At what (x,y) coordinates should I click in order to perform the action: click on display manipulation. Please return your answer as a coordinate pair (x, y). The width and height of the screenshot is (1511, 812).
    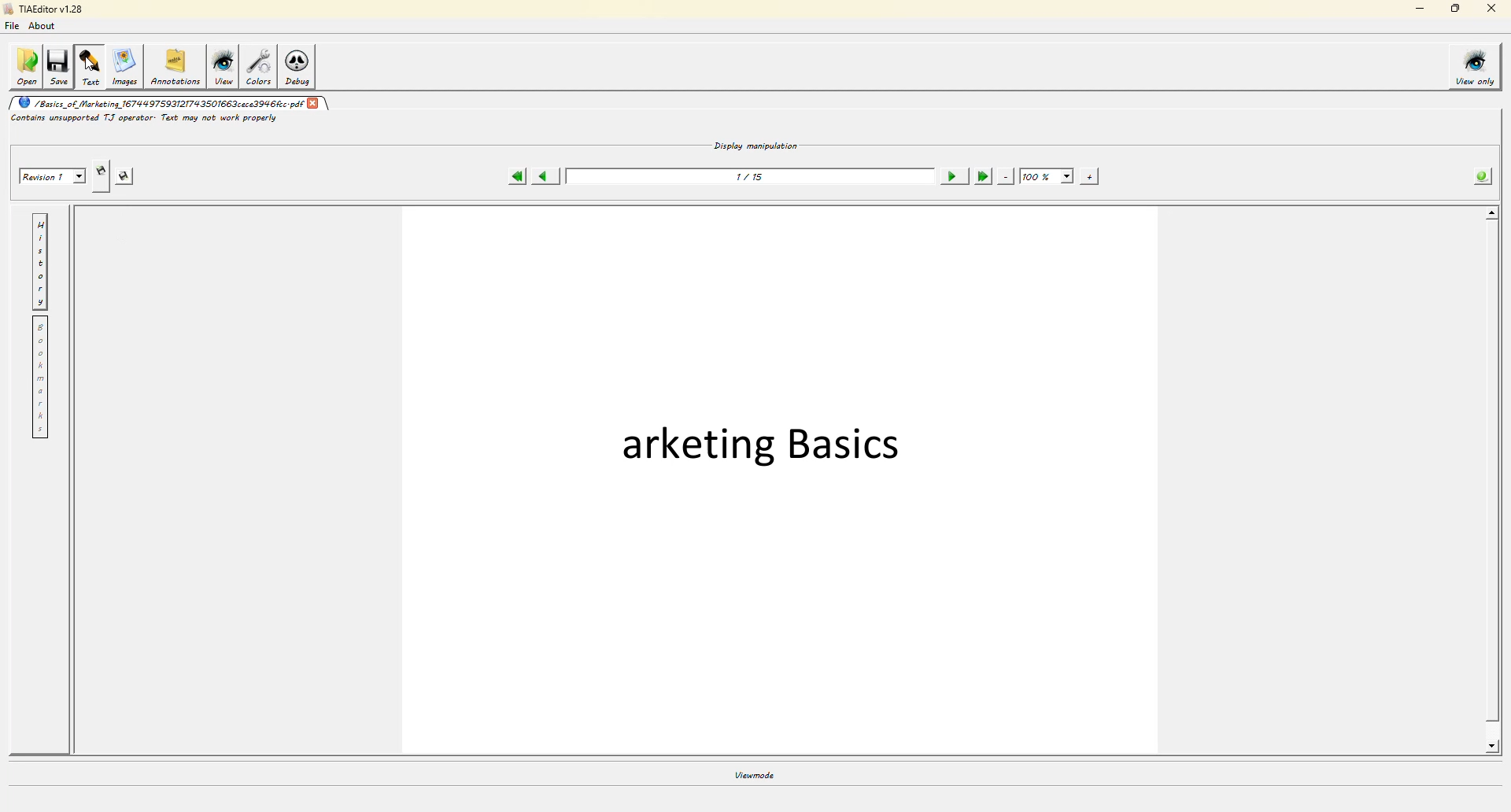
    Looking at the image, I should click on (756, 145).